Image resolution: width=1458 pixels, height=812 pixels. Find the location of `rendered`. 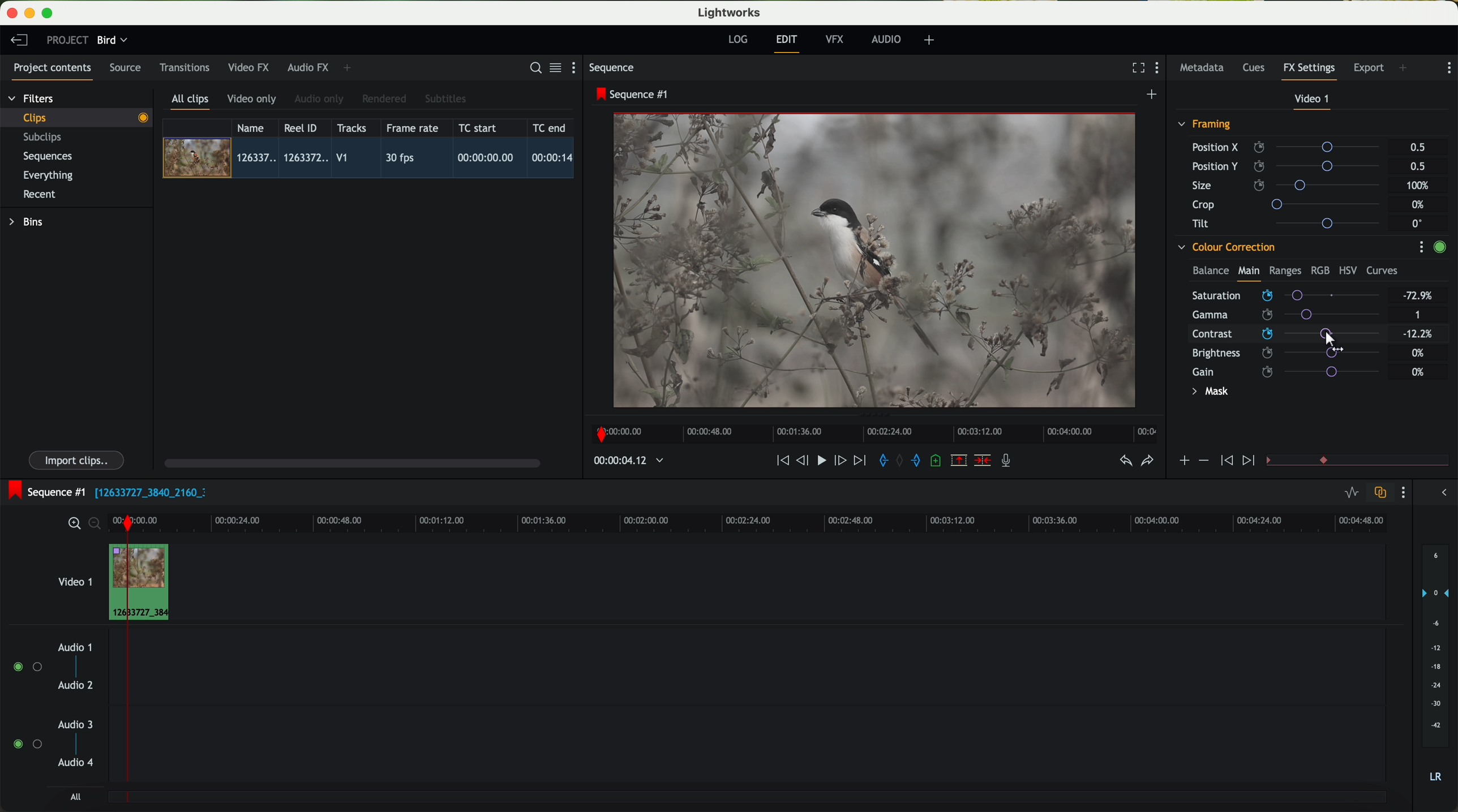

rendered is located at coordinates (385, 100).